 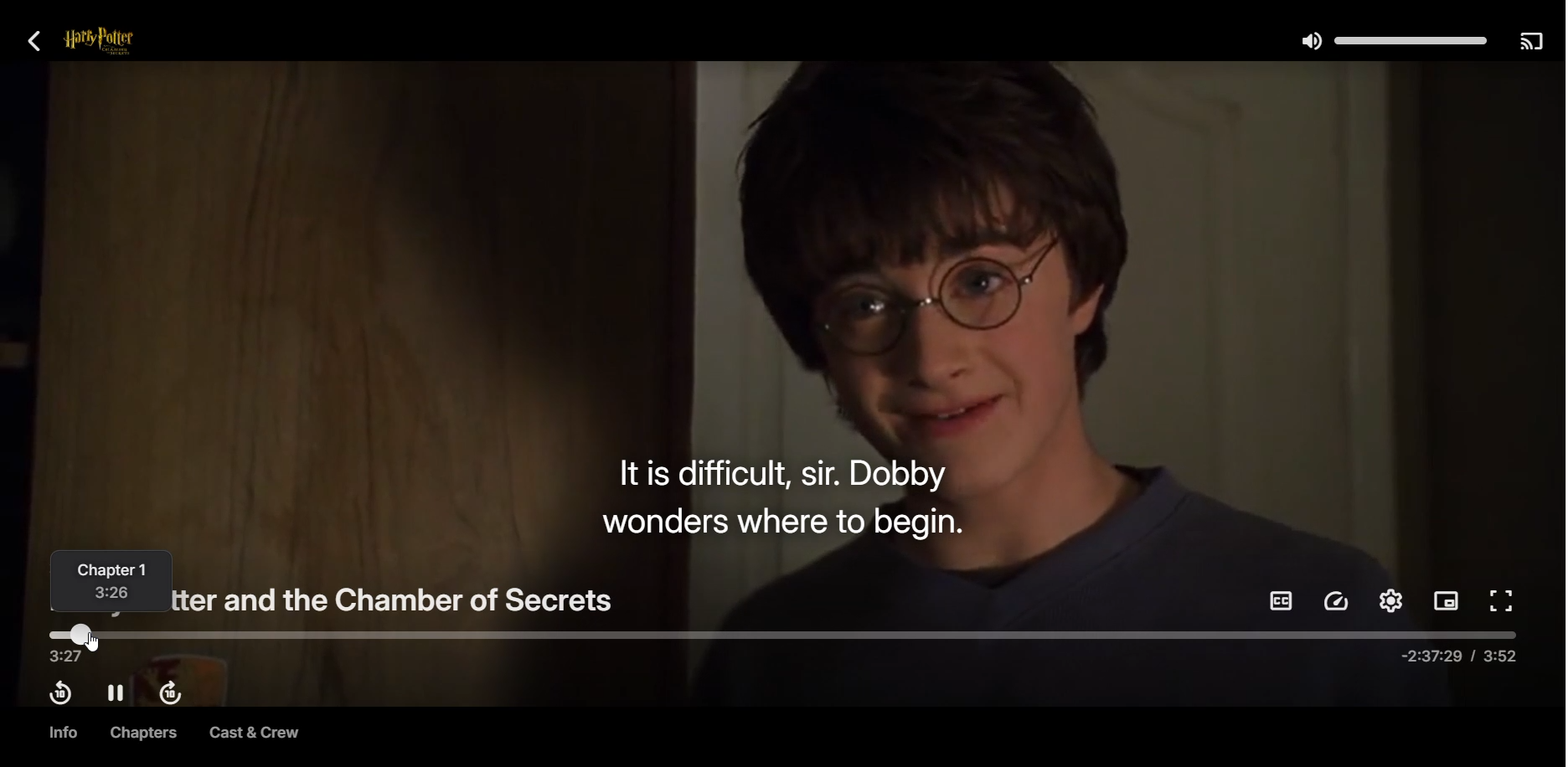 What do you see at coordinates (1338, 601) in the screenshot?
I see `Playback Speed` at bounding box center [1338, 601].